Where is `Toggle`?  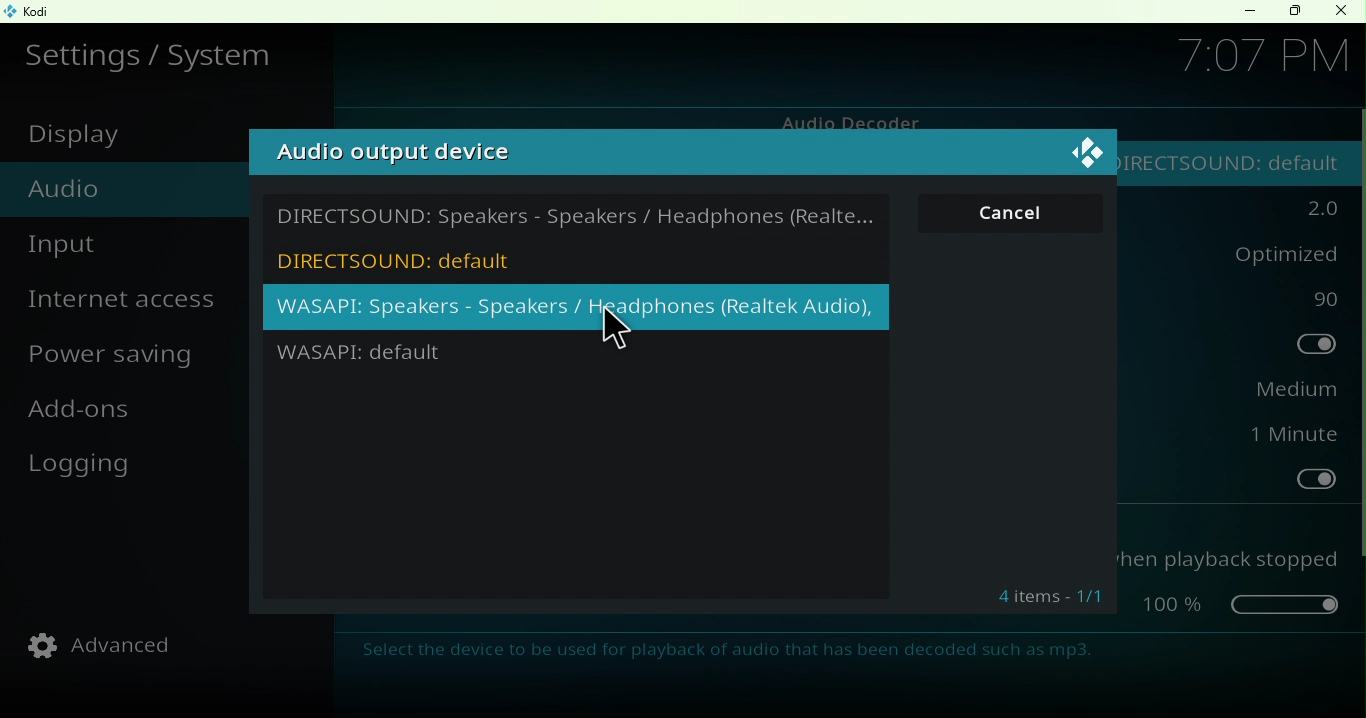
Toggle is located at coordinates (1320, 480).